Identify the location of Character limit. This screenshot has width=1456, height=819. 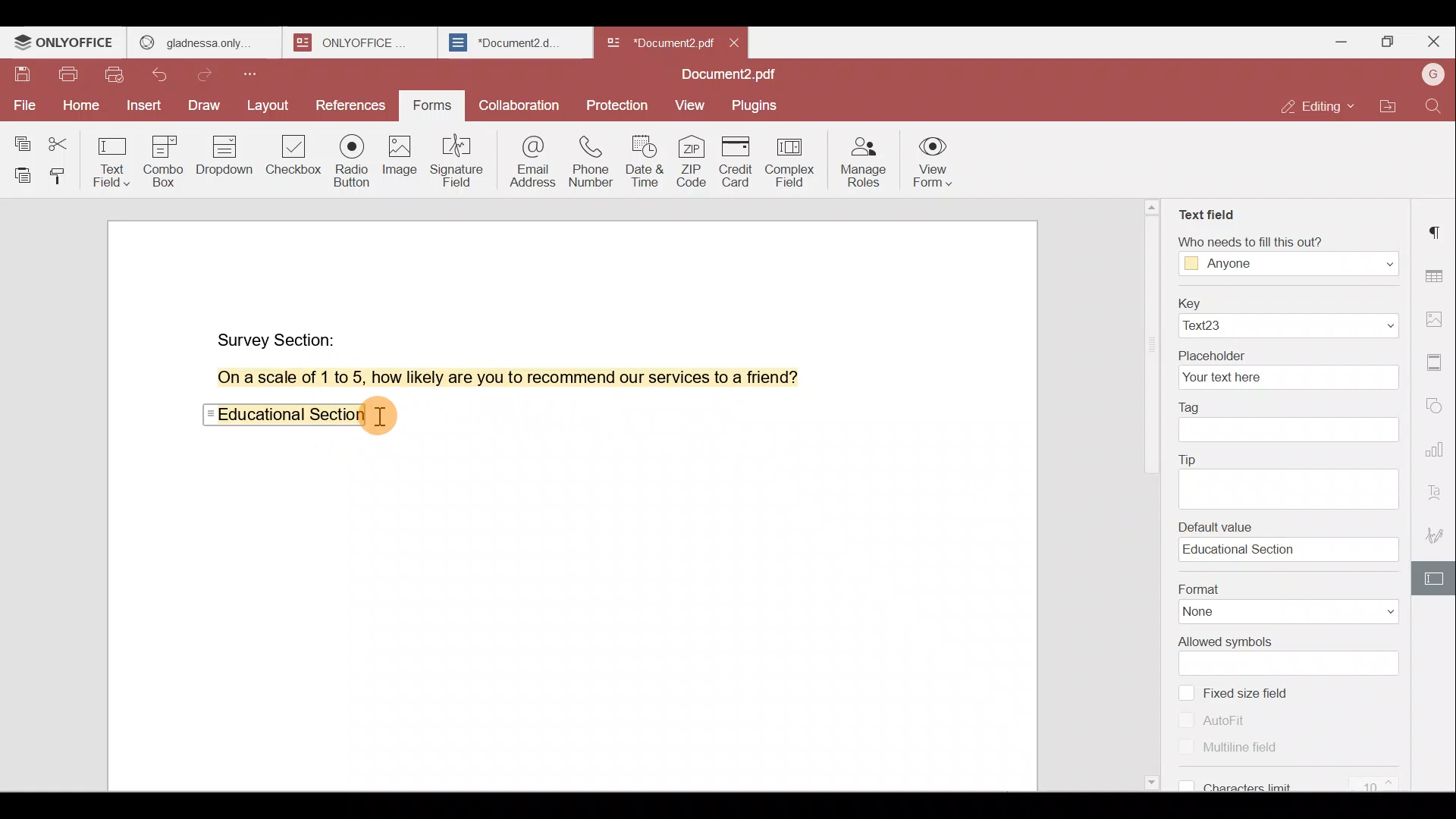
(1298, 777).